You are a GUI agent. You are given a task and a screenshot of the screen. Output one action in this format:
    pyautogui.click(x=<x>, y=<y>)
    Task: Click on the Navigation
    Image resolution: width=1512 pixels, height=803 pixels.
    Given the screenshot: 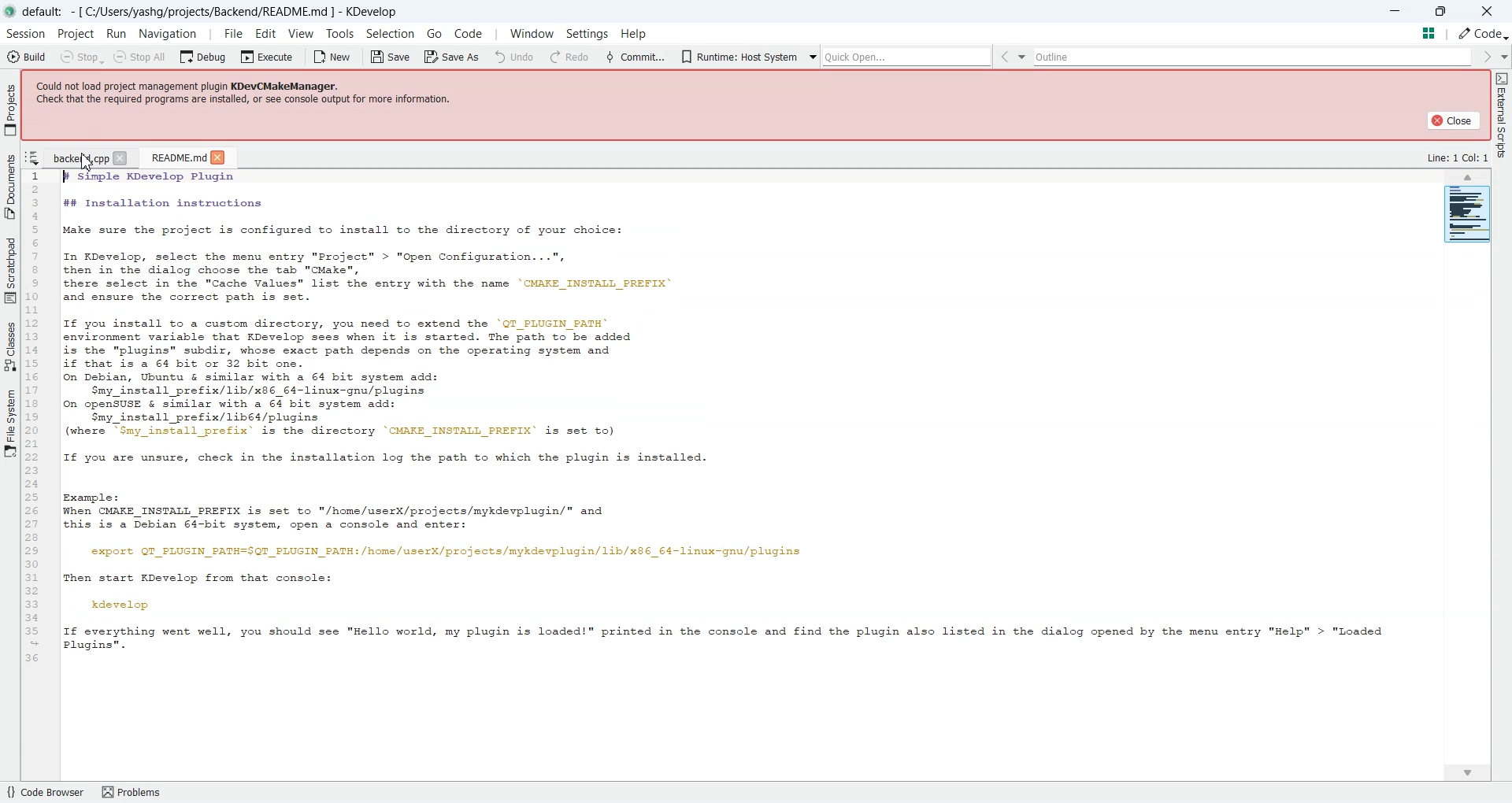 What is the action you would take?
    pyautogui.click(x=170, y=34)
    